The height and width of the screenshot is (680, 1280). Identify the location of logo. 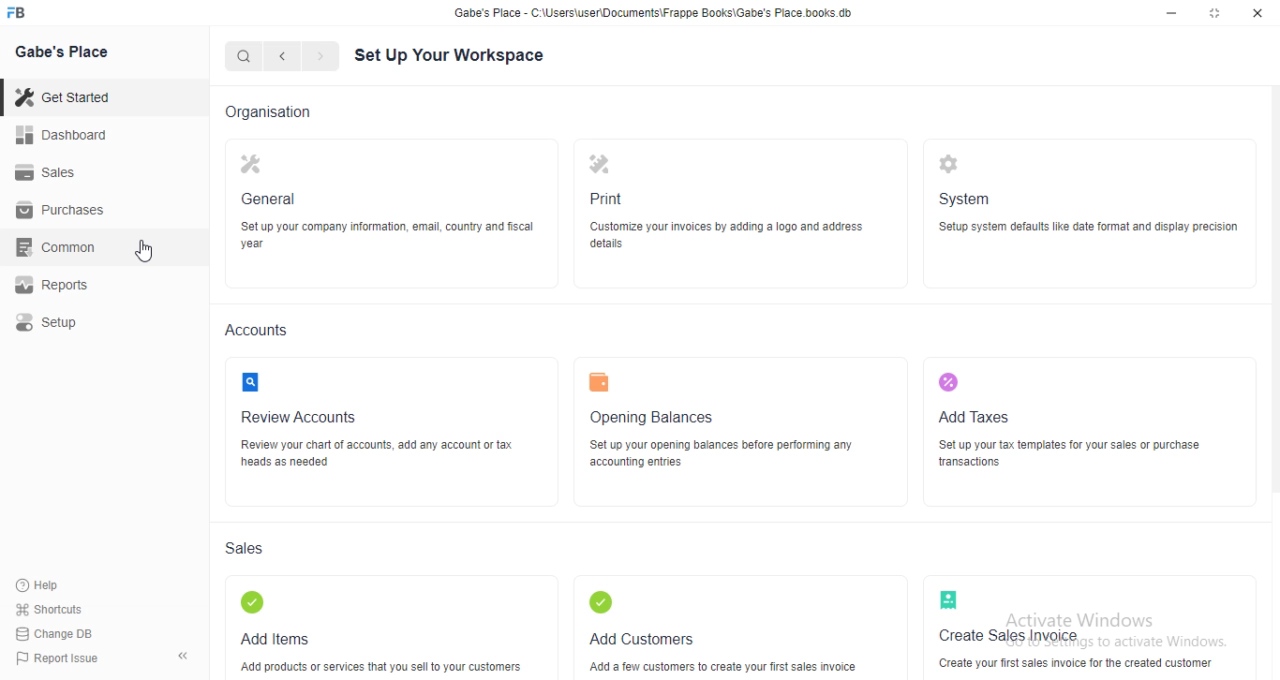
(601, 167).